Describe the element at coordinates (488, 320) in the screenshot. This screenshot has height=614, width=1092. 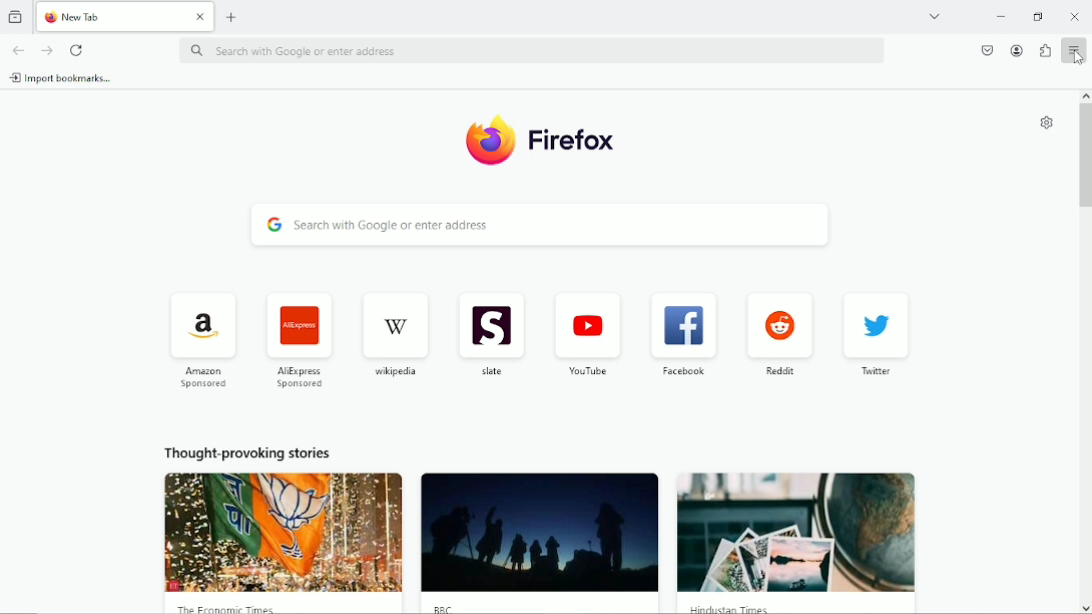
I see `slate` at that location.